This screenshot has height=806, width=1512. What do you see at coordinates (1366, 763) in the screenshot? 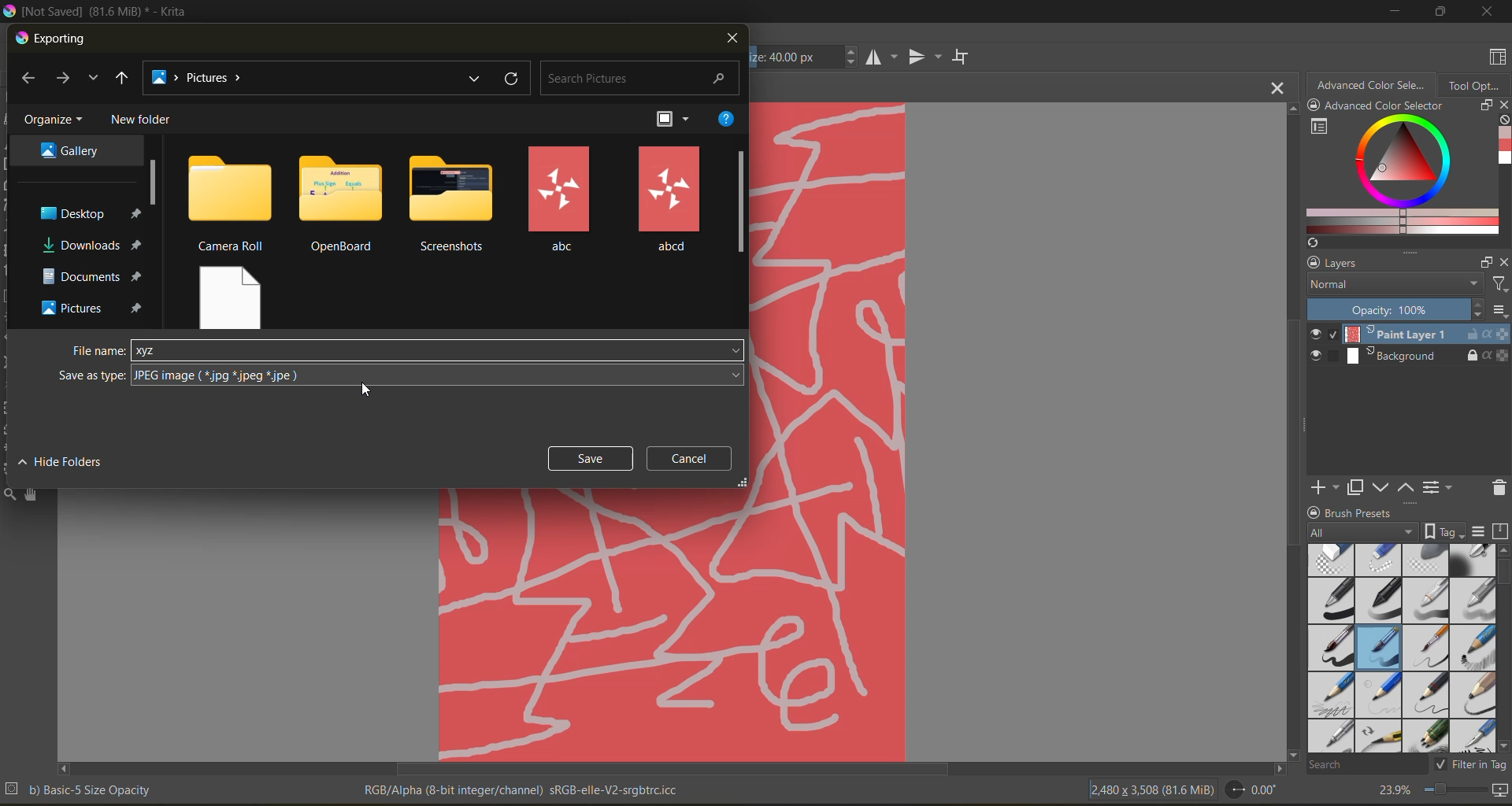
I see `search` at bounding box center [1366, 763].